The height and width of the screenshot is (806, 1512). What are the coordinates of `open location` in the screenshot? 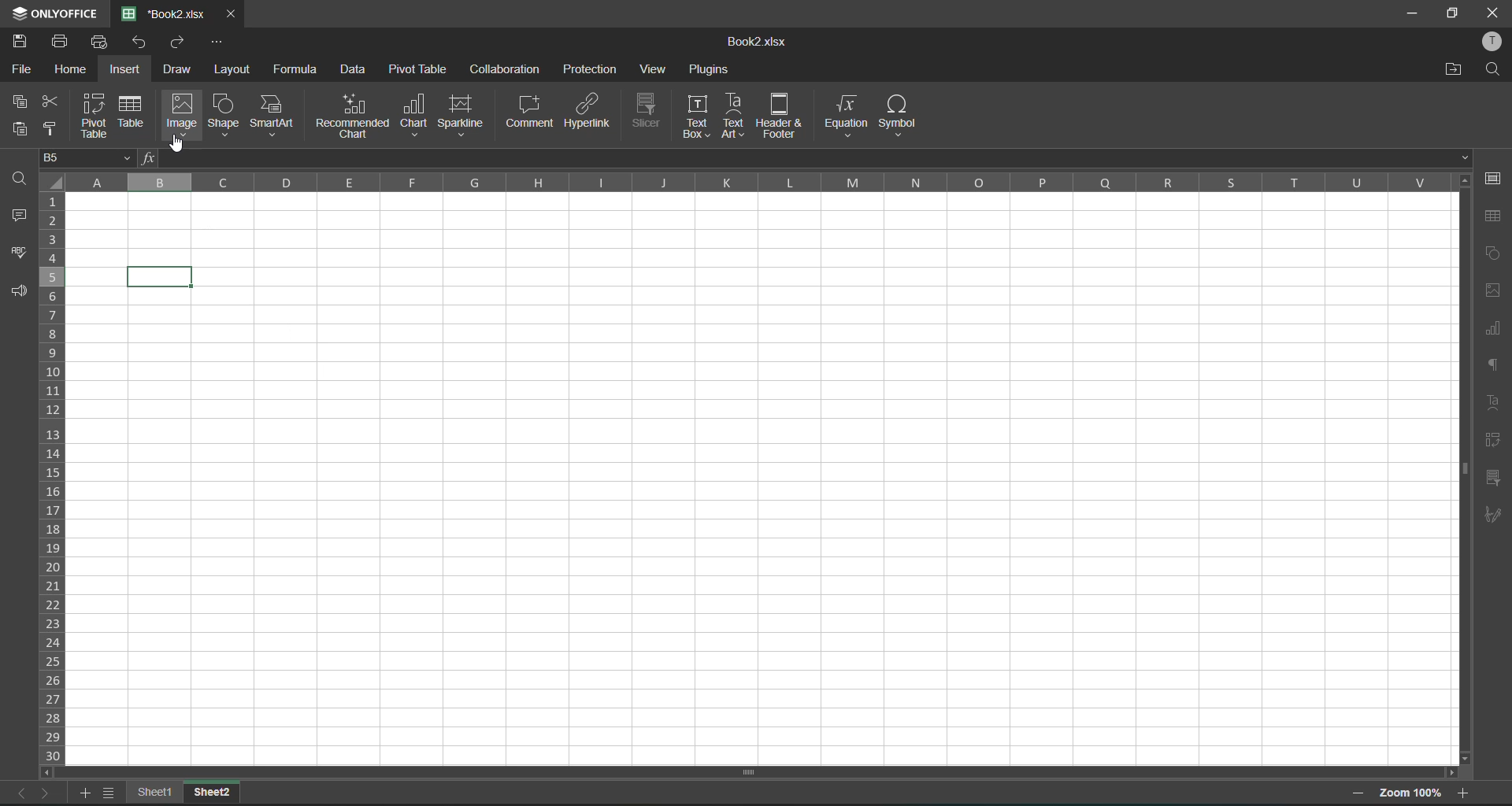 It's located at (1447, 71).